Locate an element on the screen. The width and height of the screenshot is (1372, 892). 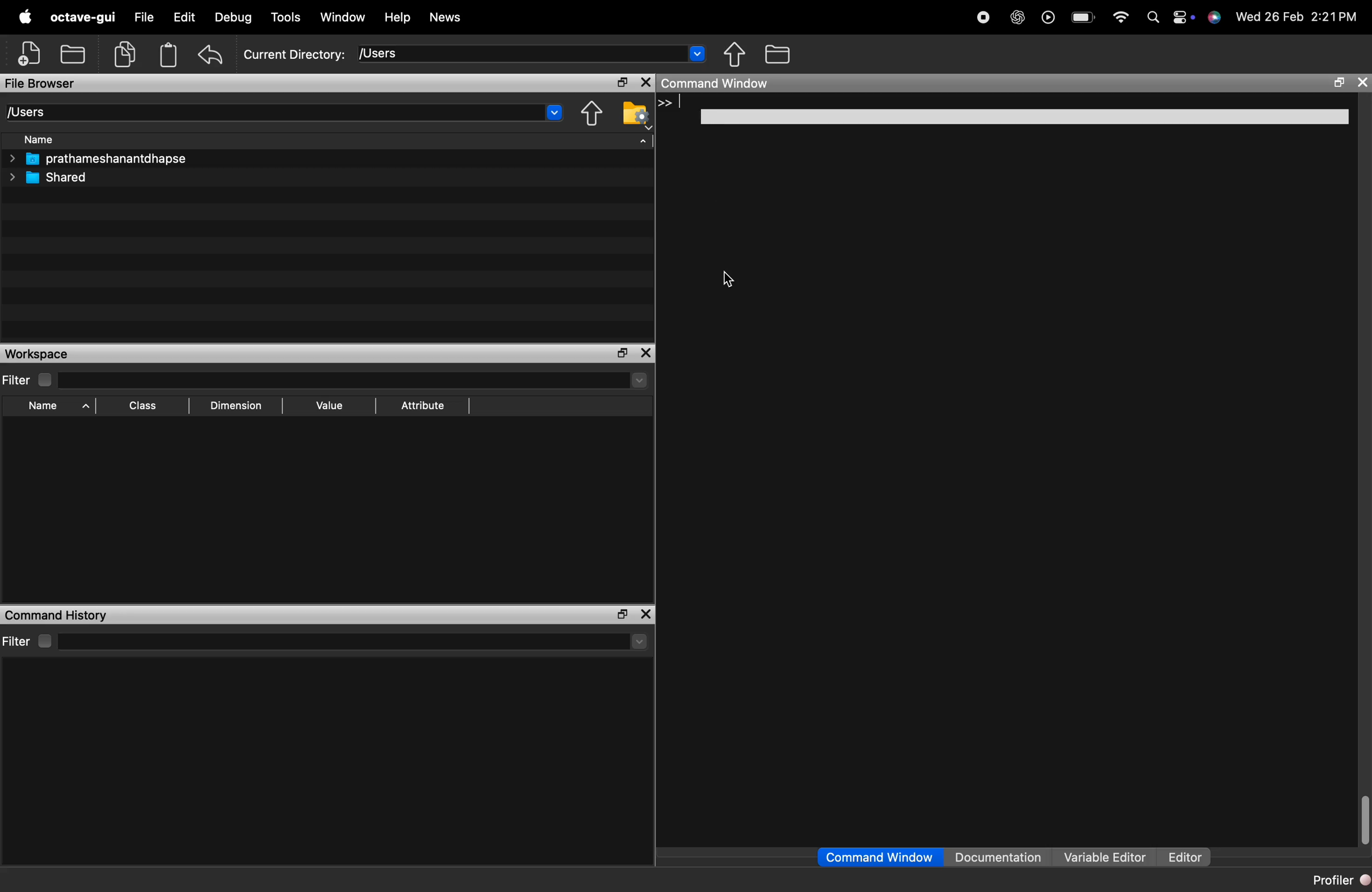
close is located at coordinates (644, 82).